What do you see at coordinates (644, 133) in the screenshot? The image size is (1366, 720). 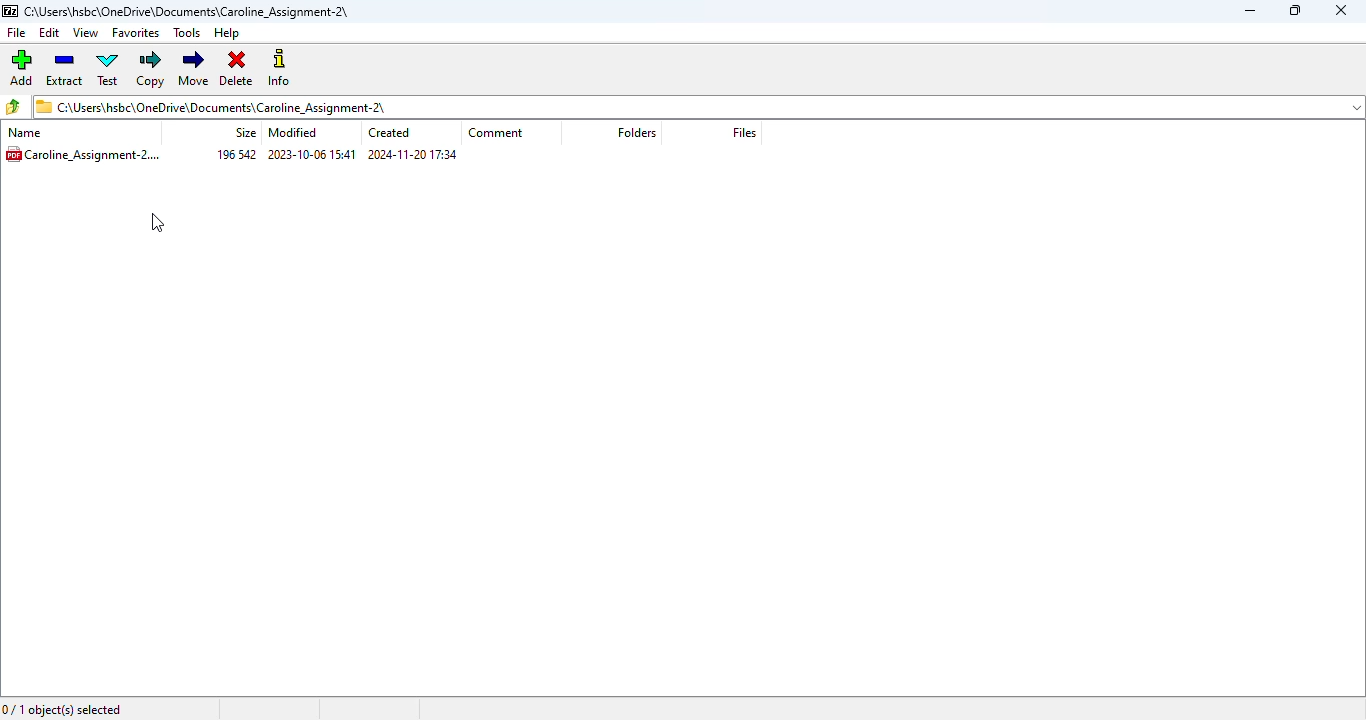 I see `Folders` at bounding box center [644, 133].